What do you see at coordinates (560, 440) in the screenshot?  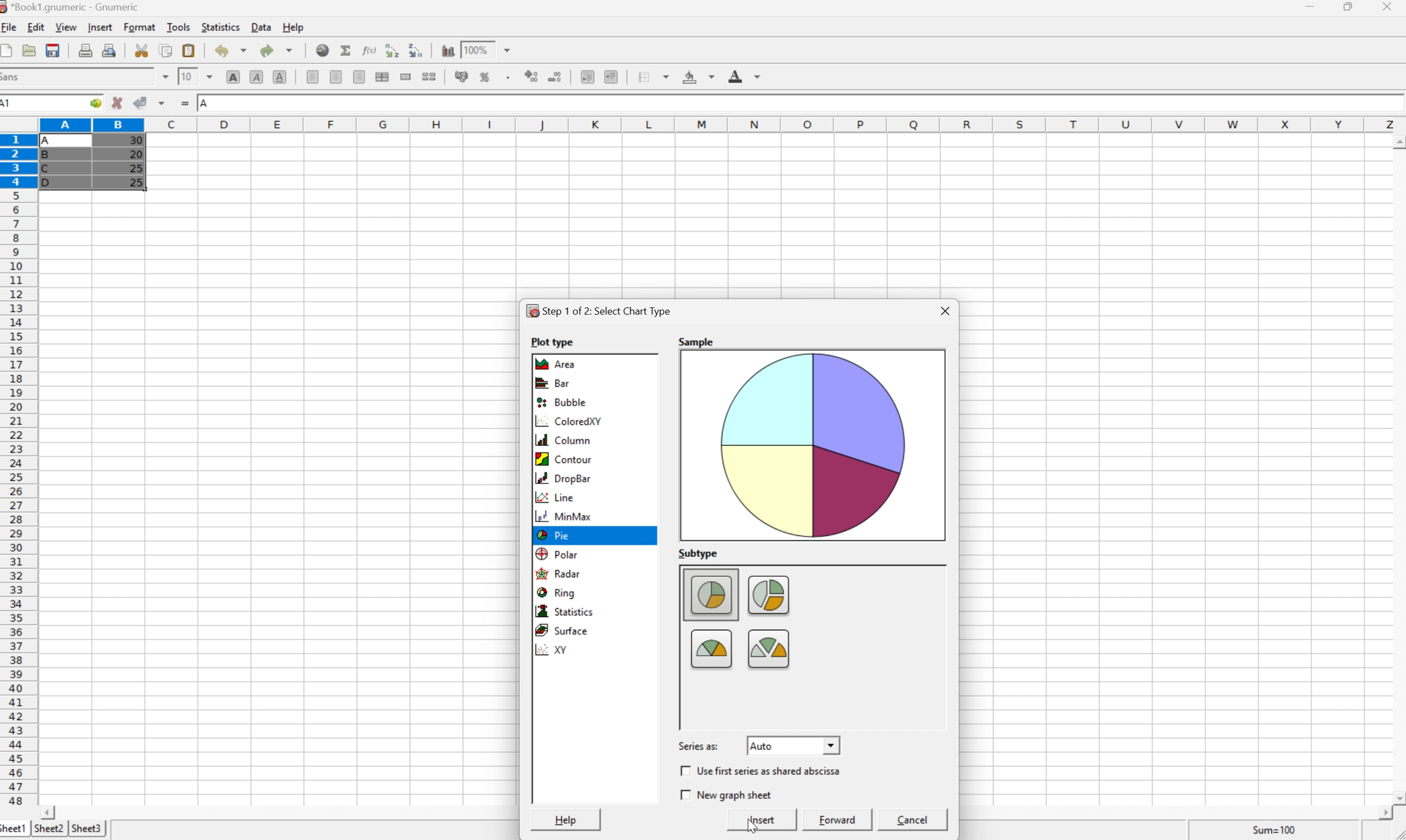 I see `Column` at bounding box center [560, 440].